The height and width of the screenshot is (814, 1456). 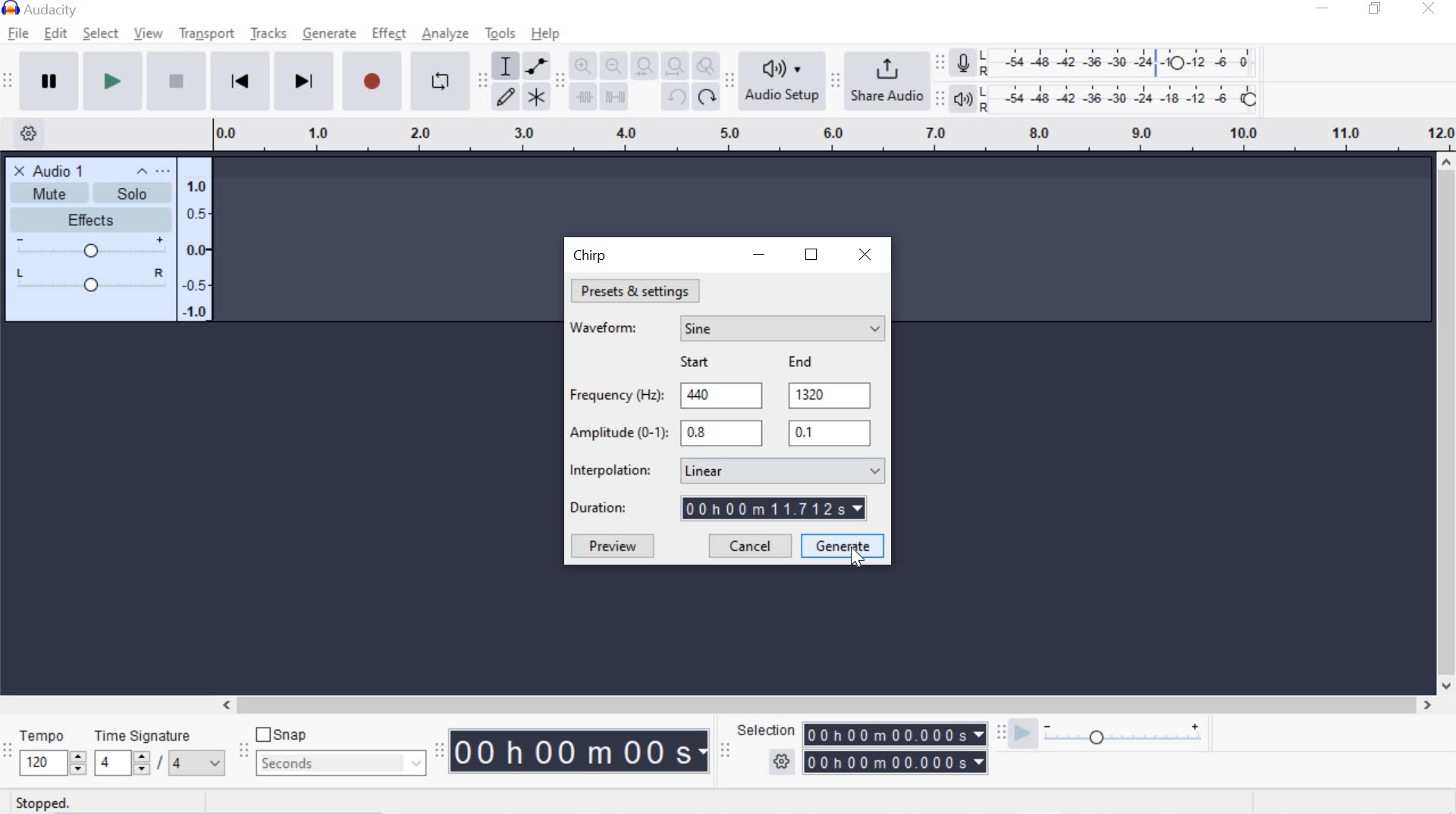 I want to click on Duration Field, so click(x=780, y=508).